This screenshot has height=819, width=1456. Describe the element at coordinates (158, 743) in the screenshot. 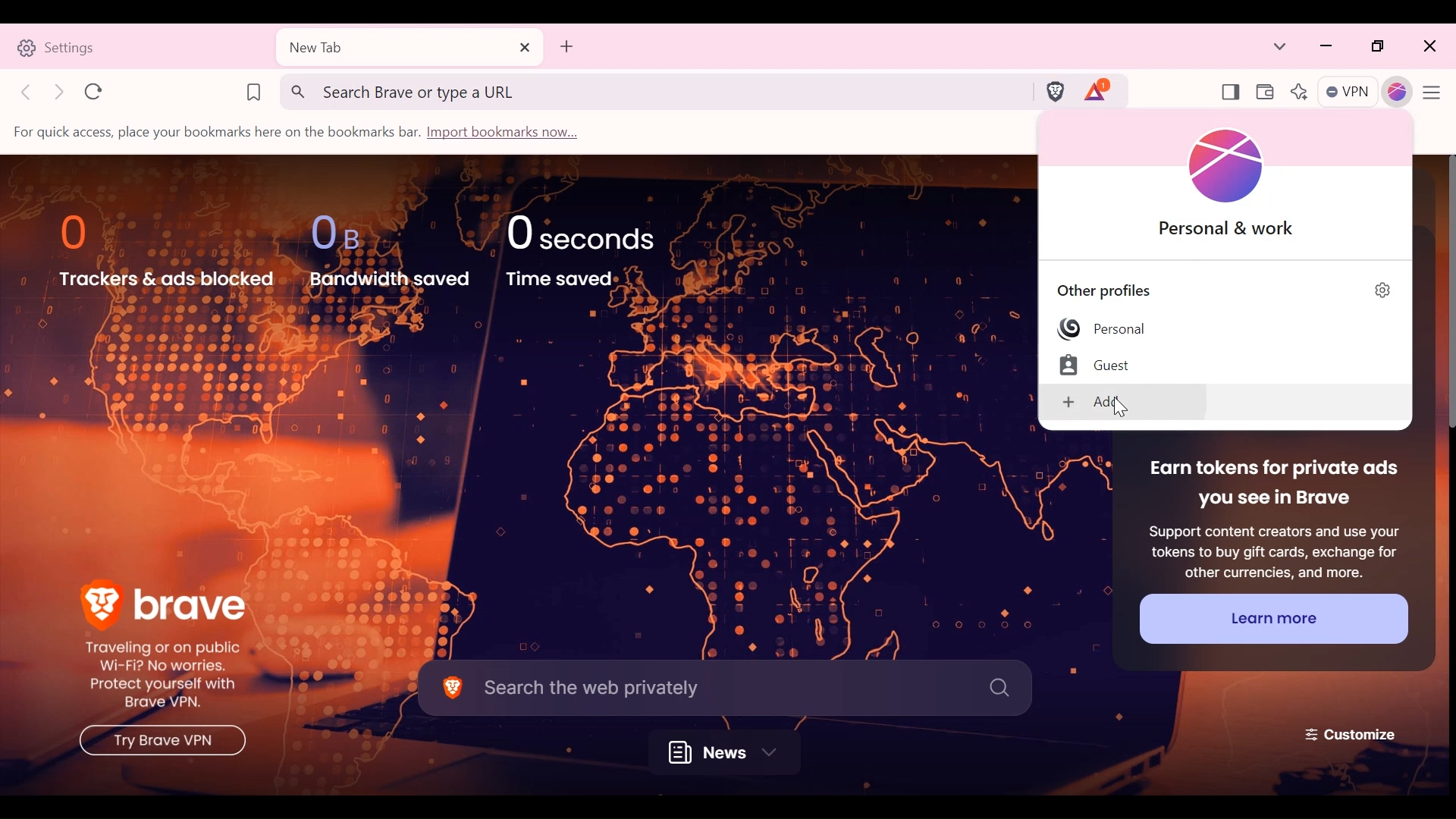

I see `try brave vpn` at that location.